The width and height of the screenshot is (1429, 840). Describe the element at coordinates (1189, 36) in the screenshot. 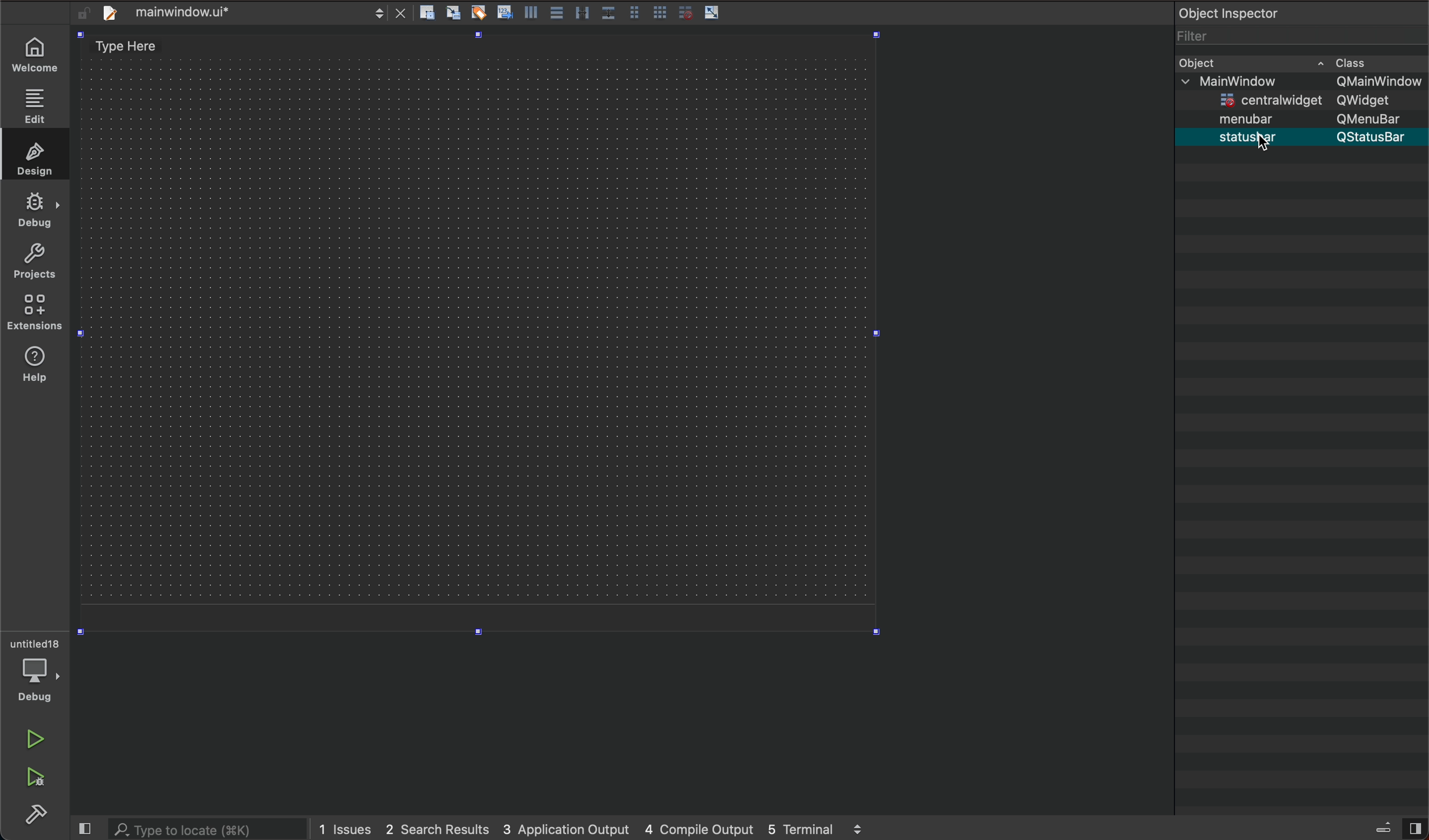

I see `filter` at that location.